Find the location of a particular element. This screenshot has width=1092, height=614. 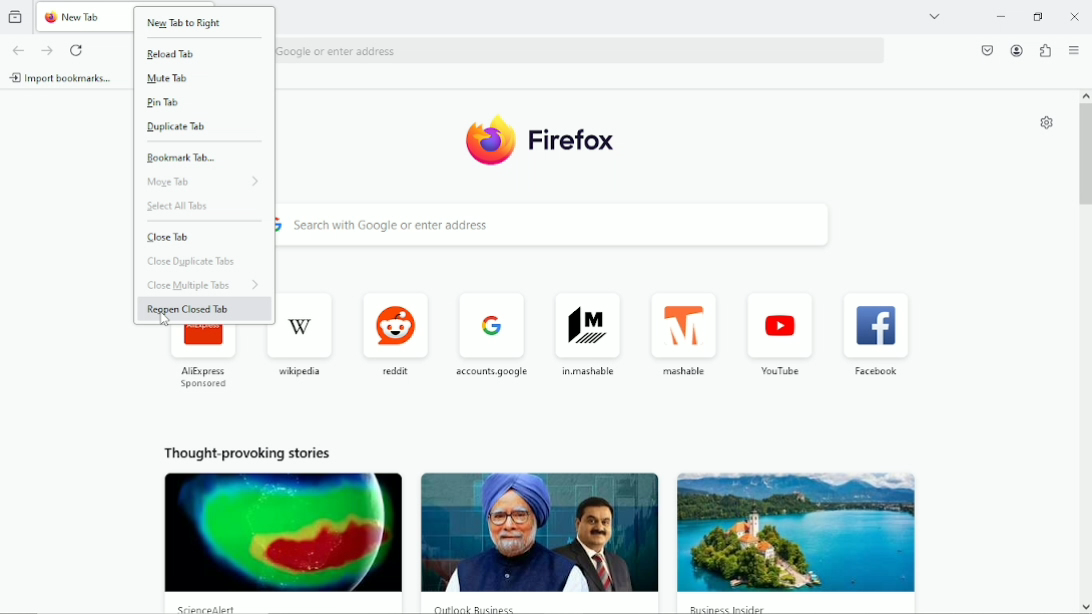

mashable is located at coordinates (683, 333).